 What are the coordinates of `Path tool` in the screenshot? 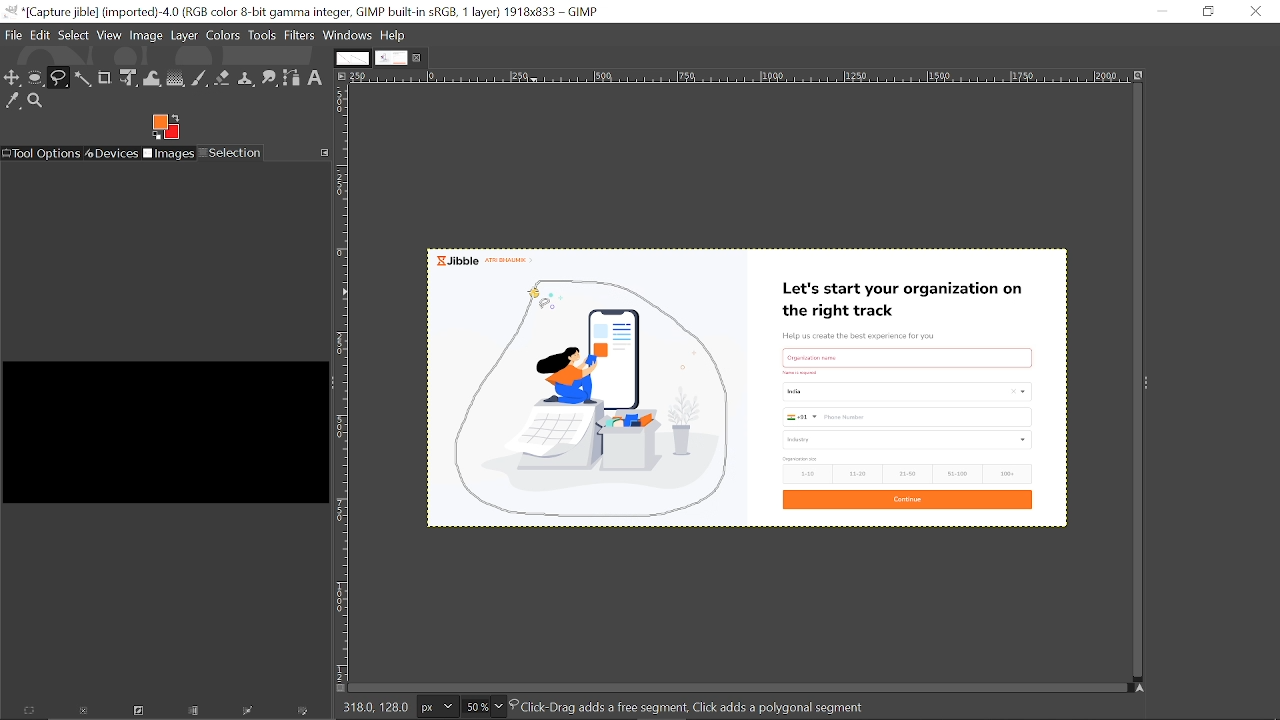 It's located at (293, 78).